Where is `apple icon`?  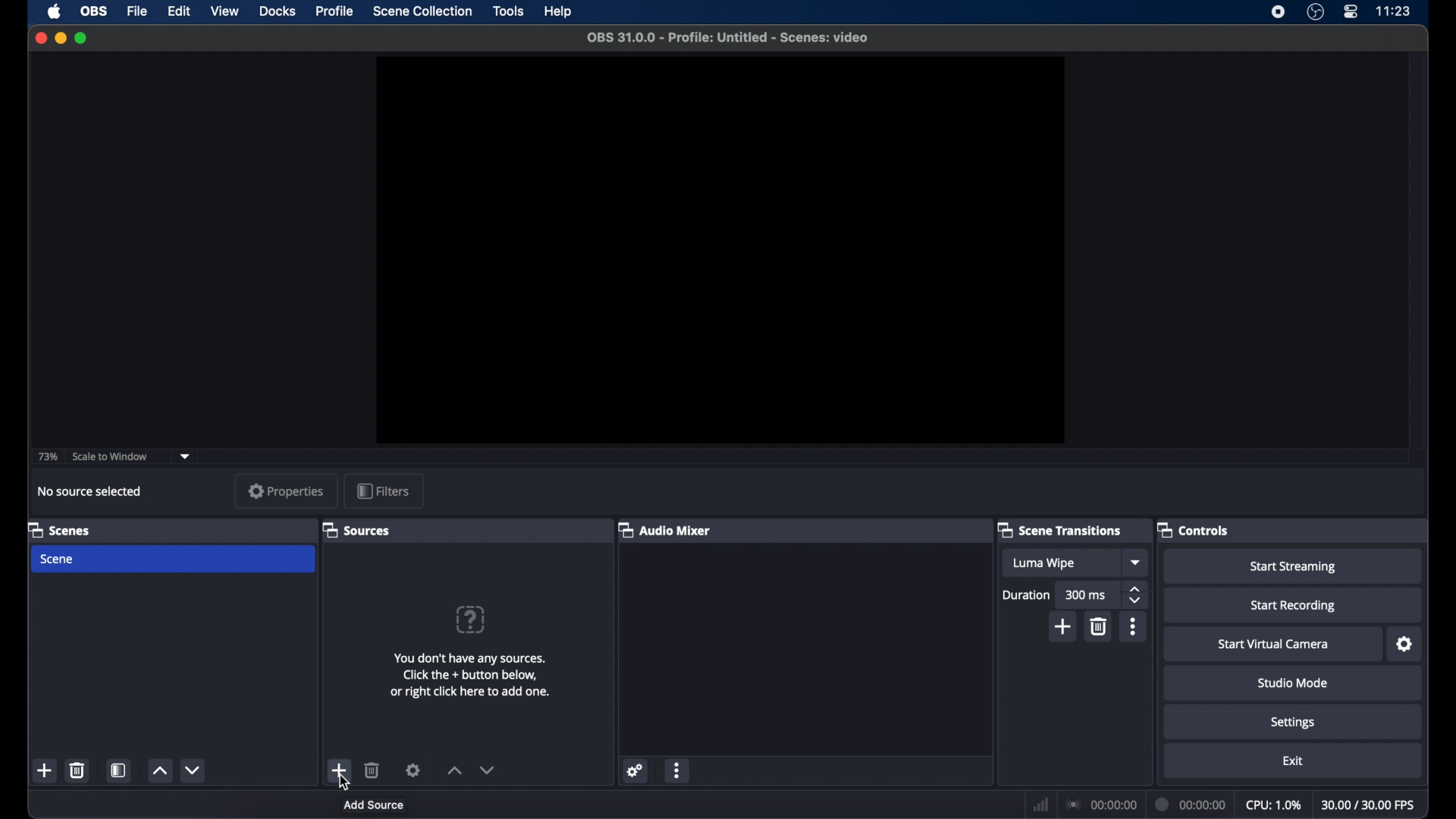
apple icon is located at coordinates (55, 12).